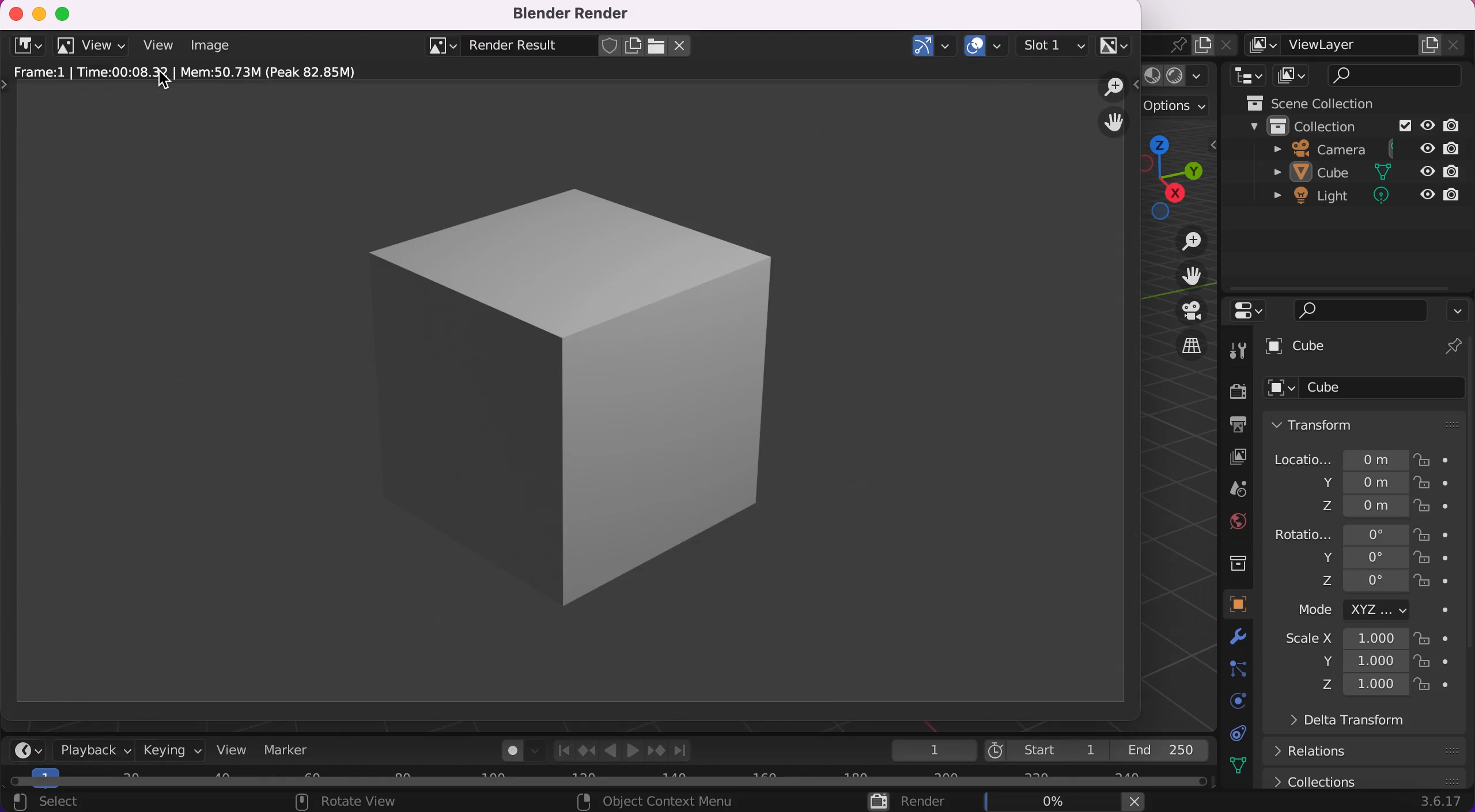 This screenshot has height=812, width=1475. Describe the element at coordinates (1429, 483) in the screenshot. I see `lock` at that location.